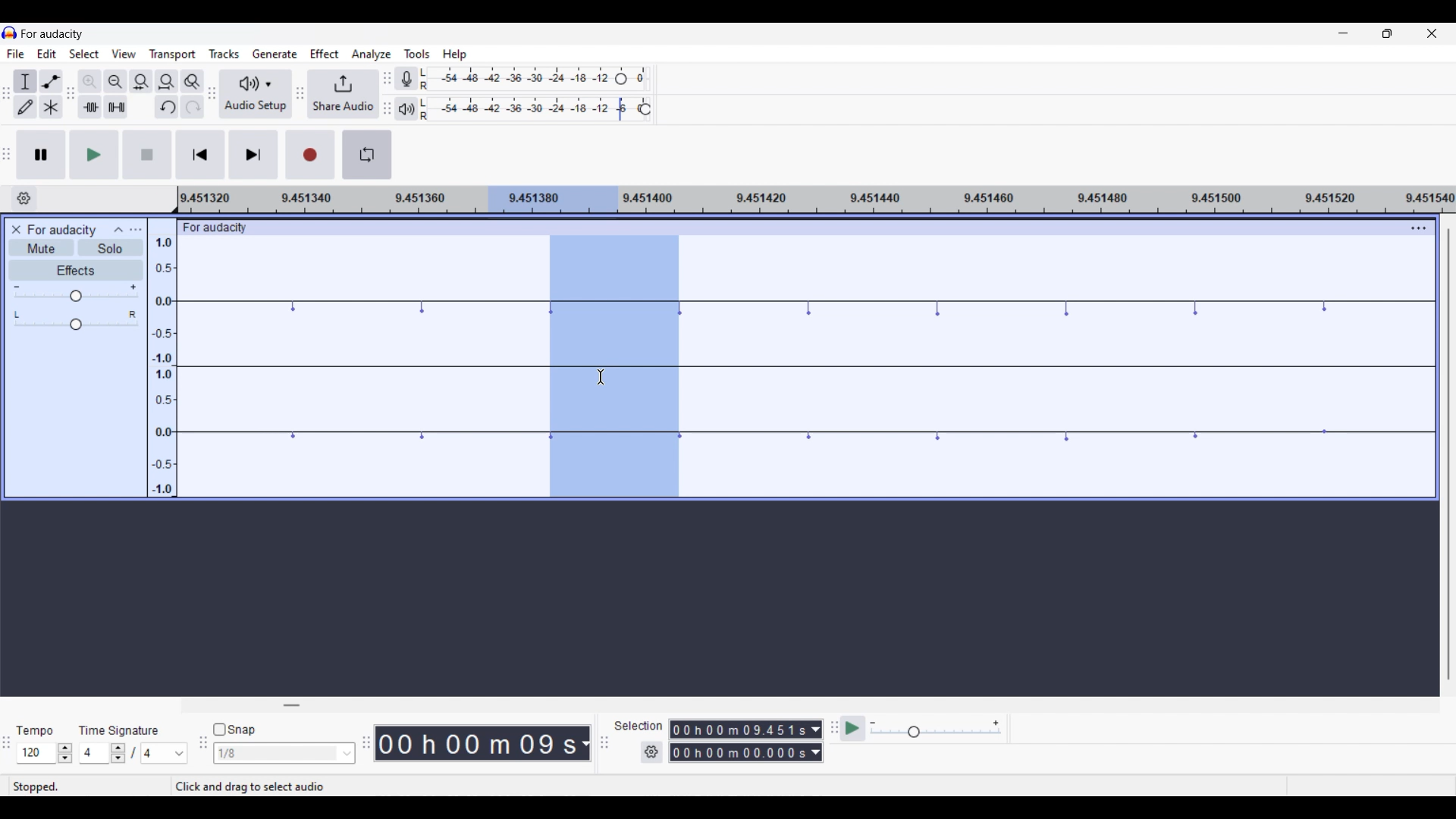 The width and height of the screenshot is (1456, 819). Describe the element at coordinates (325, 54) in the screenshot. I see `Effect menu` at that location.